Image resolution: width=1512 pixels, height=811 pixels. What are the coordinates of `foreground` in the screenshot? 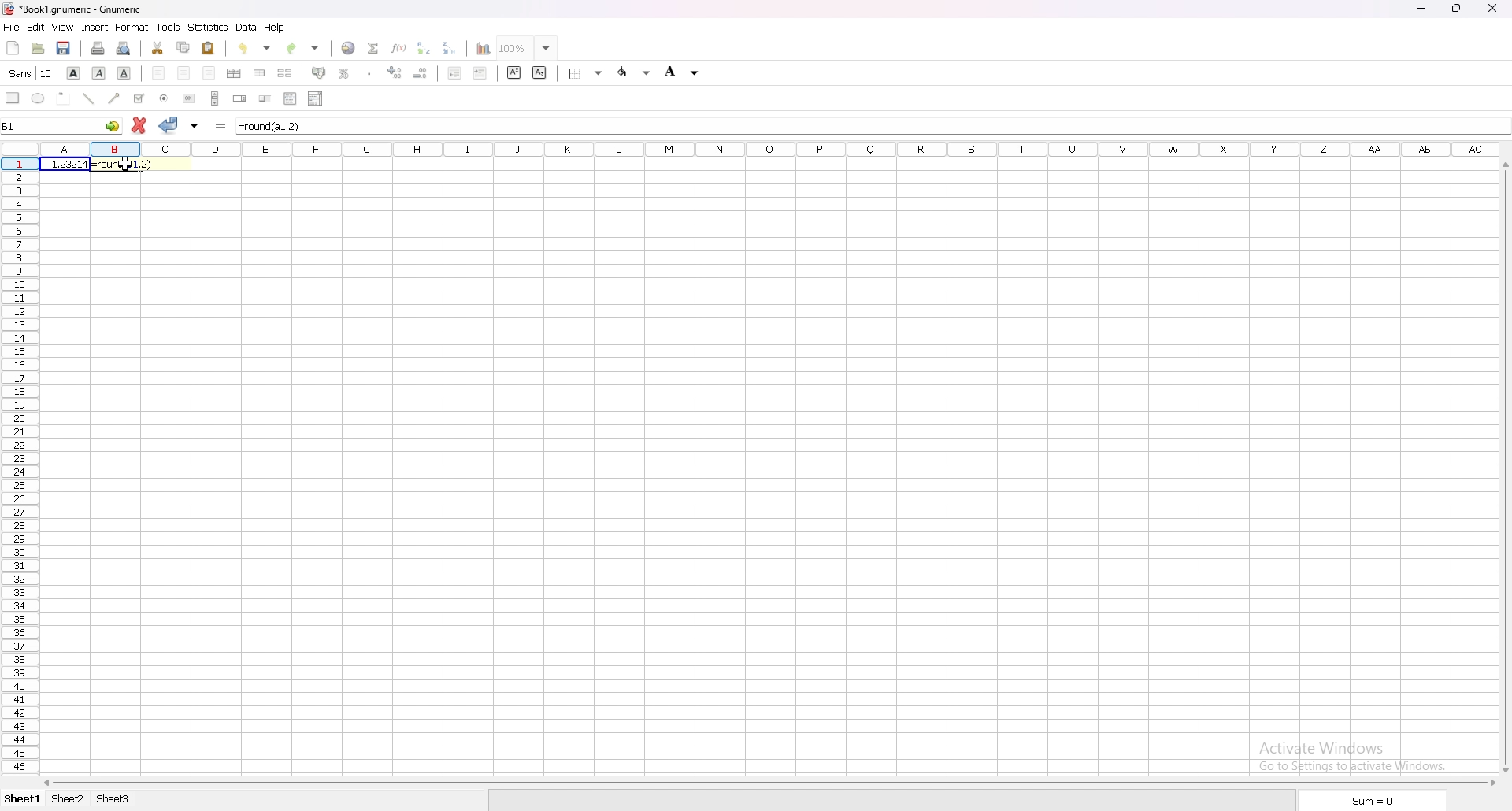 It's located at (634, 72).